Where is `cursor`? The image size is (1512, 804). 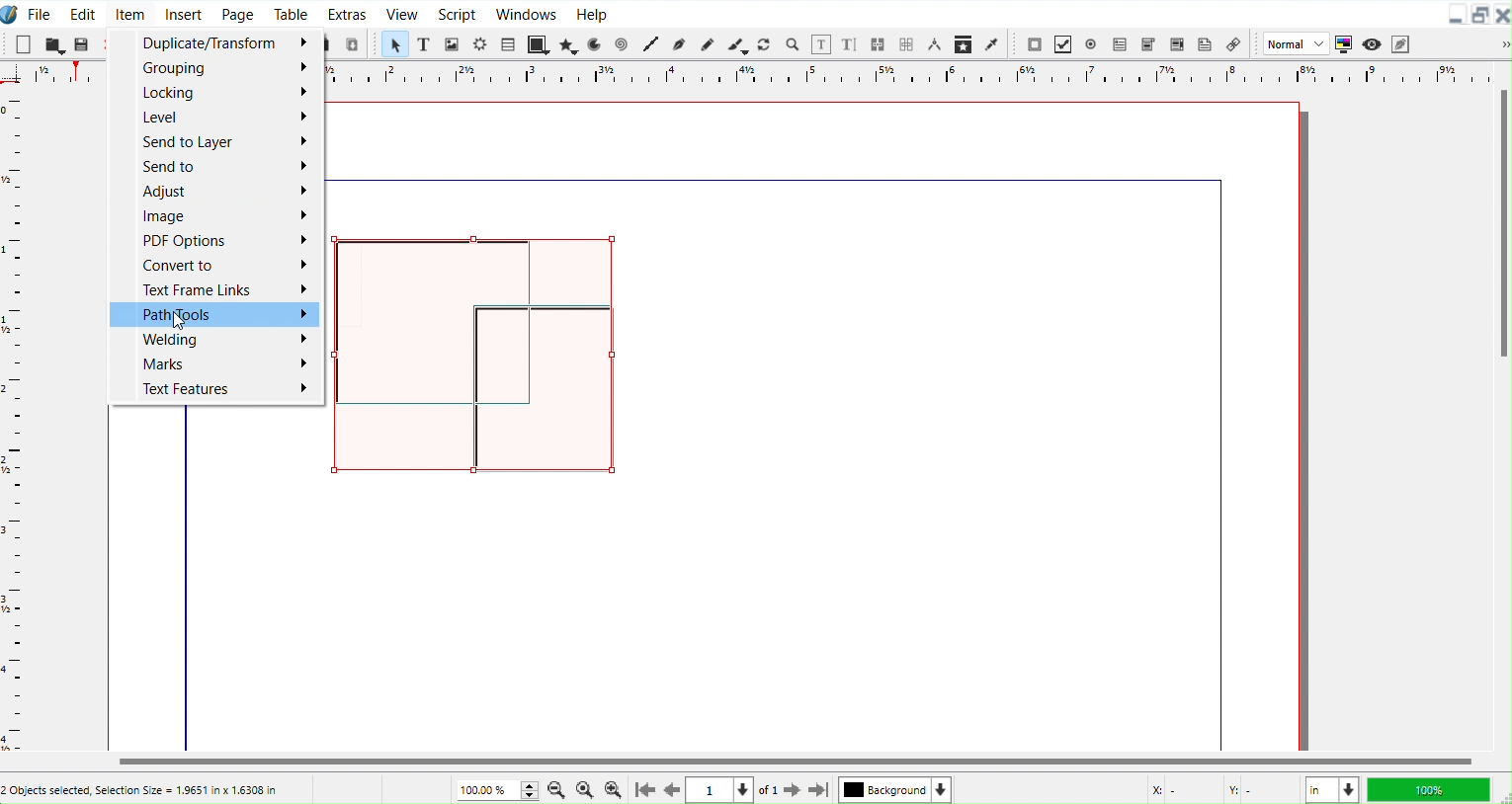 cursor is located at coordinates (180, 321).